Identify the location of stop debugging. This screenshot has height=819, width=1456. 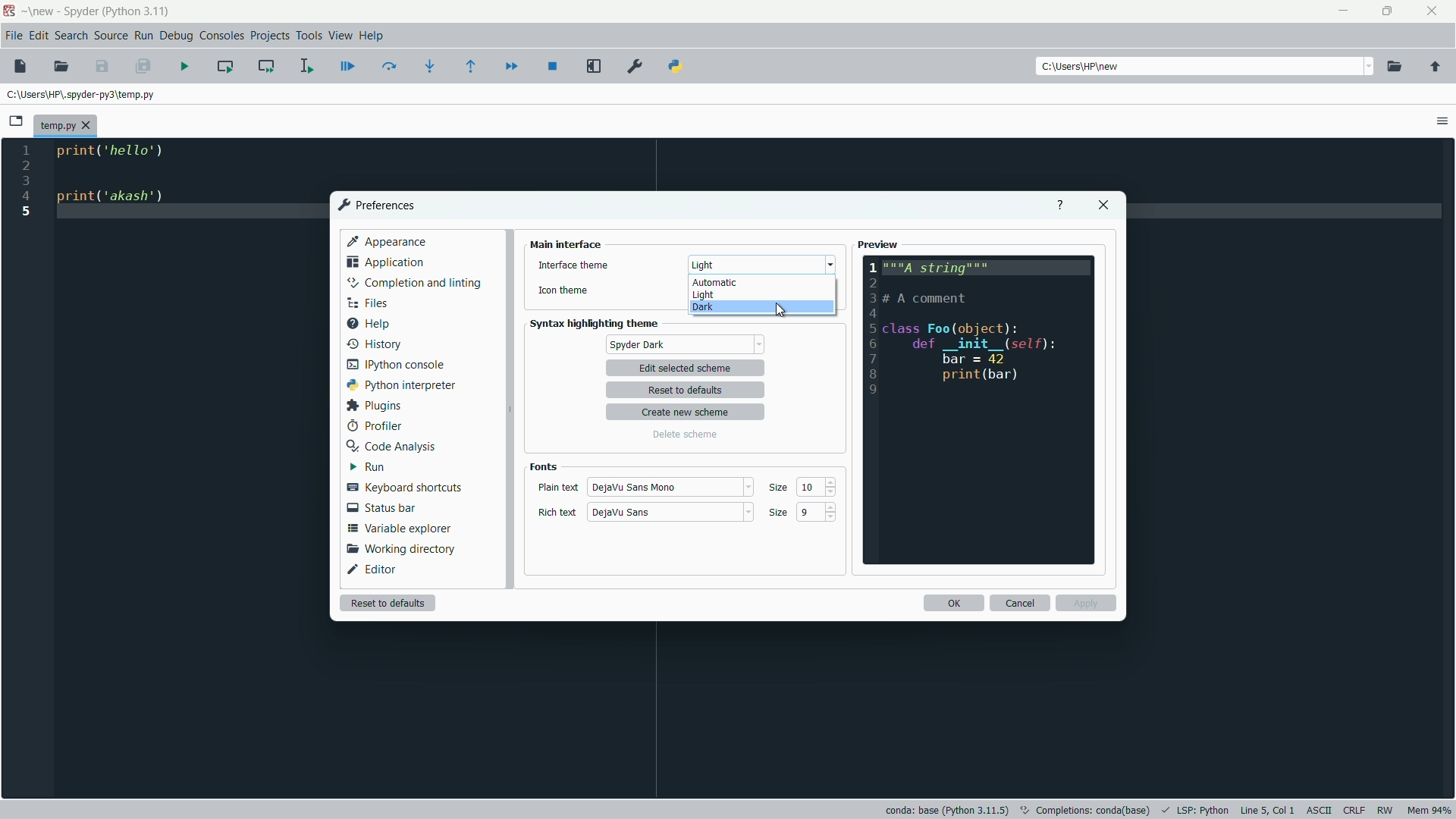
(554, 66).